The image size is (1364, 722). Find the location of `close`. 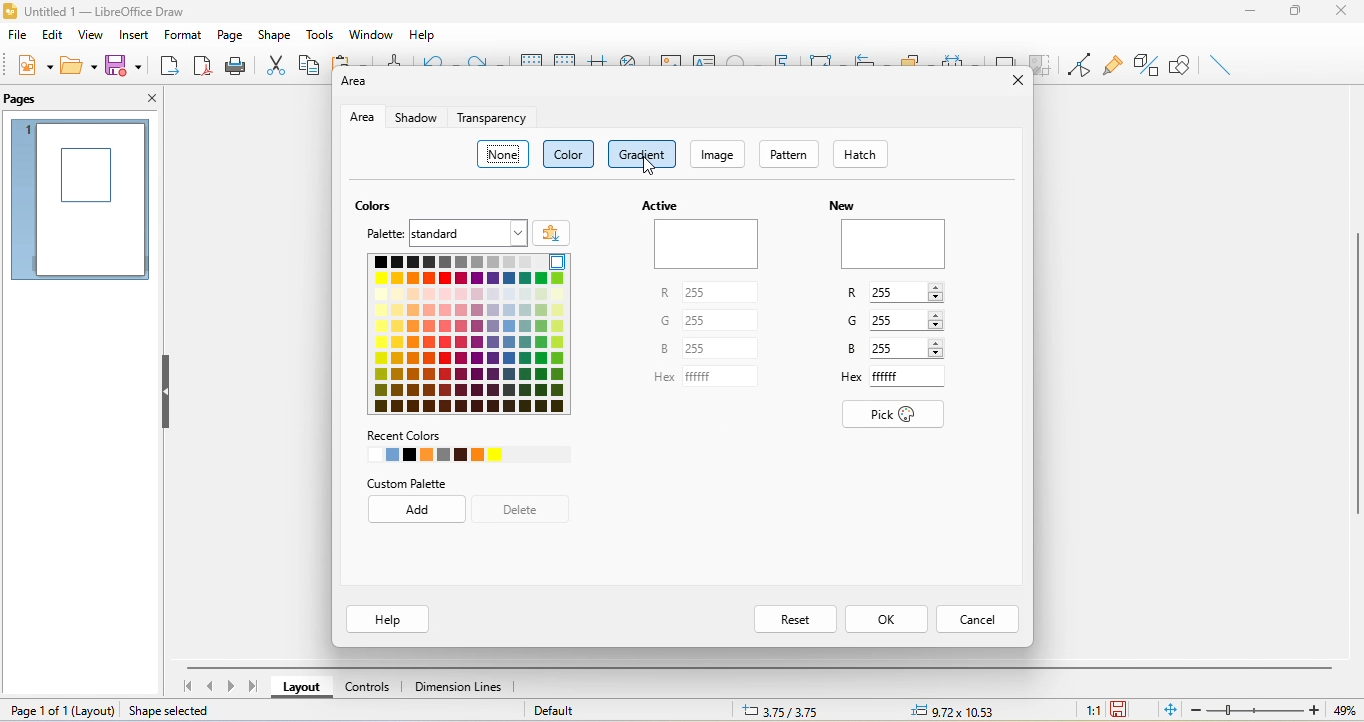

close is located at coordinates (1012, 80).